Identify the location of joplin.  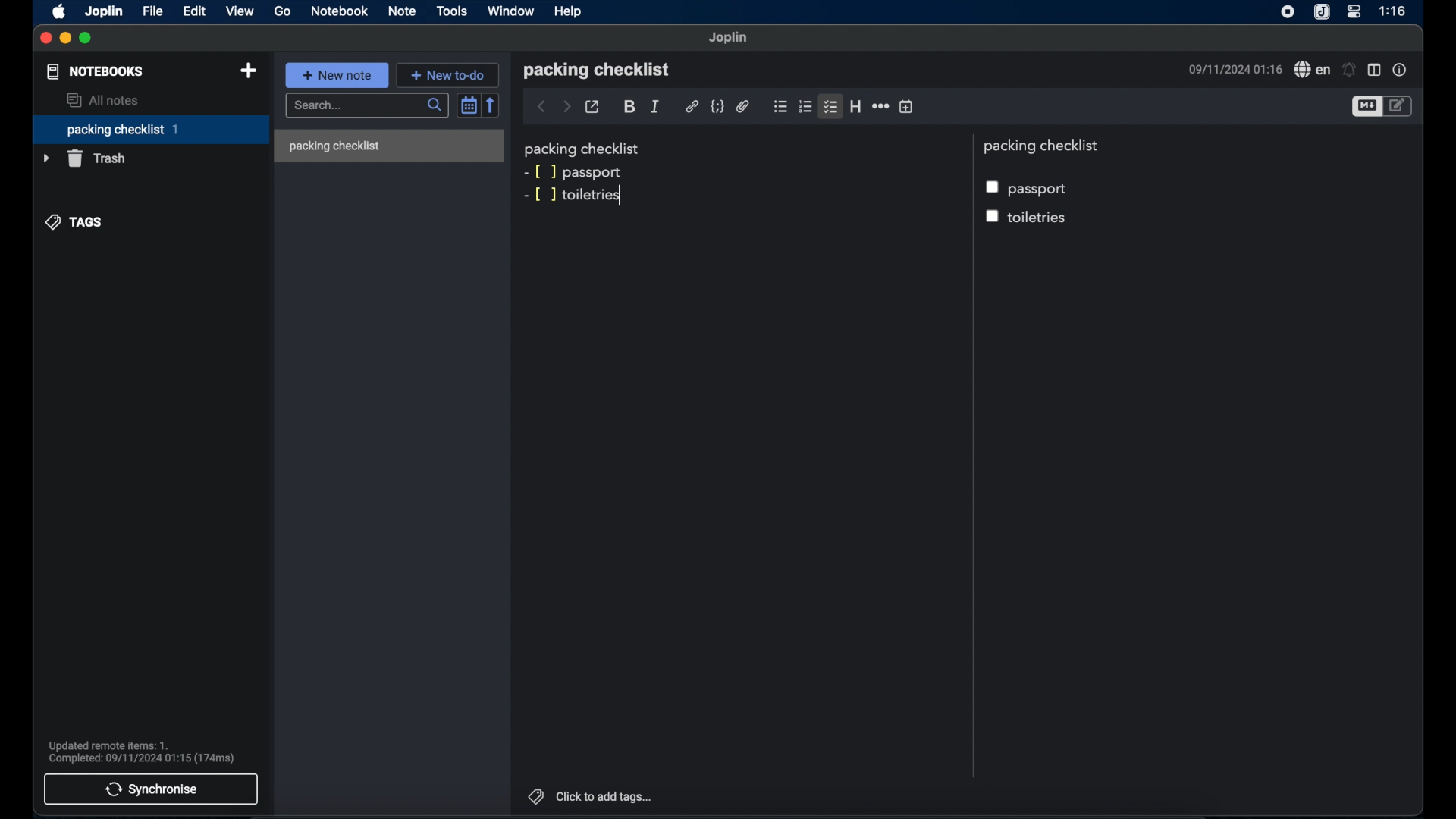
(730, 38).